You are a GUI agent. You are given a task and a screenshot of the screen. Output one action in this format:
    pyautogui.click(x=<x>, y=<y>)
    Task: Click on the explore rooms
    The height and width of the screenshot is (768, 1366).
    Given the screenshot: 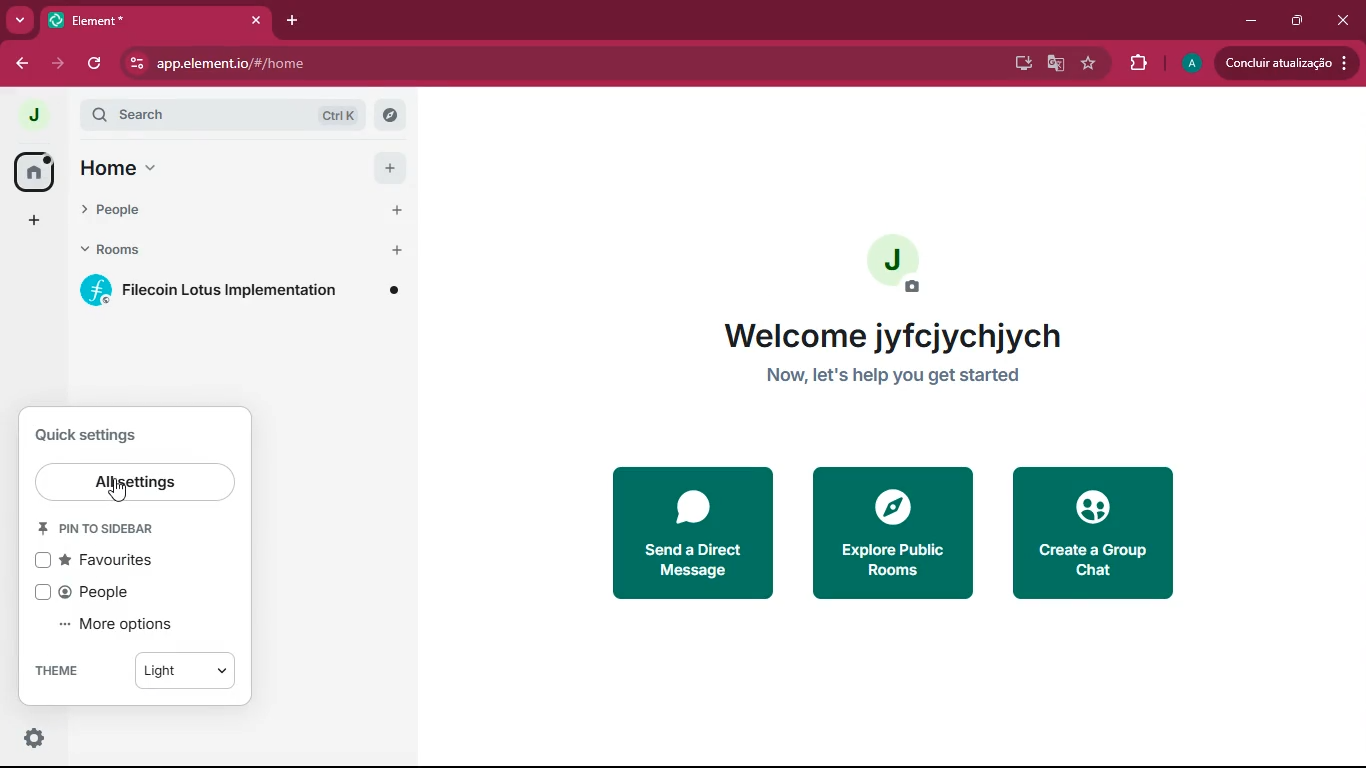 What is the action you would take?
    pyautogui.click(x=390, y=115)
    